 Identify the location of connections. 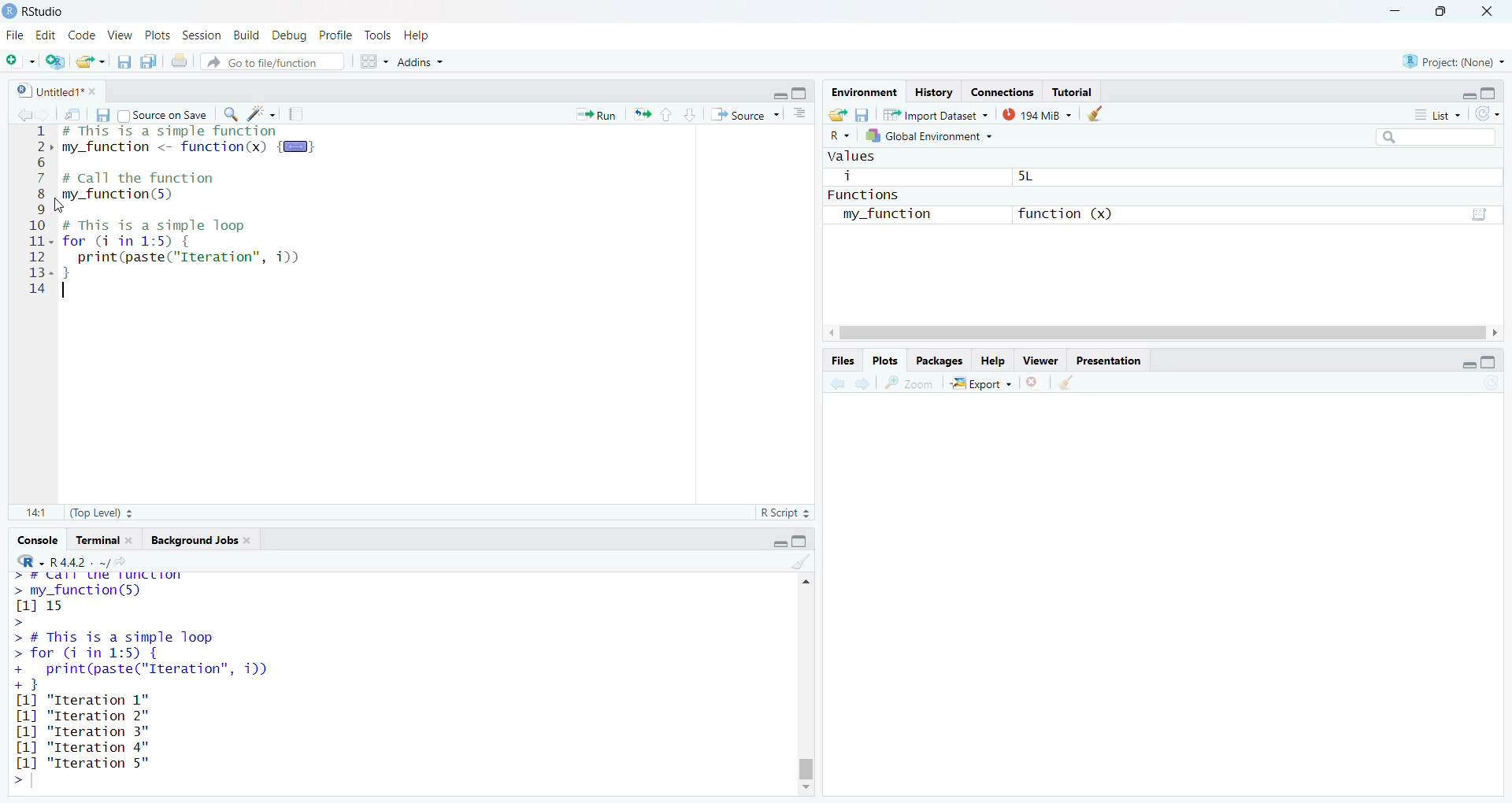
(1001, 90).